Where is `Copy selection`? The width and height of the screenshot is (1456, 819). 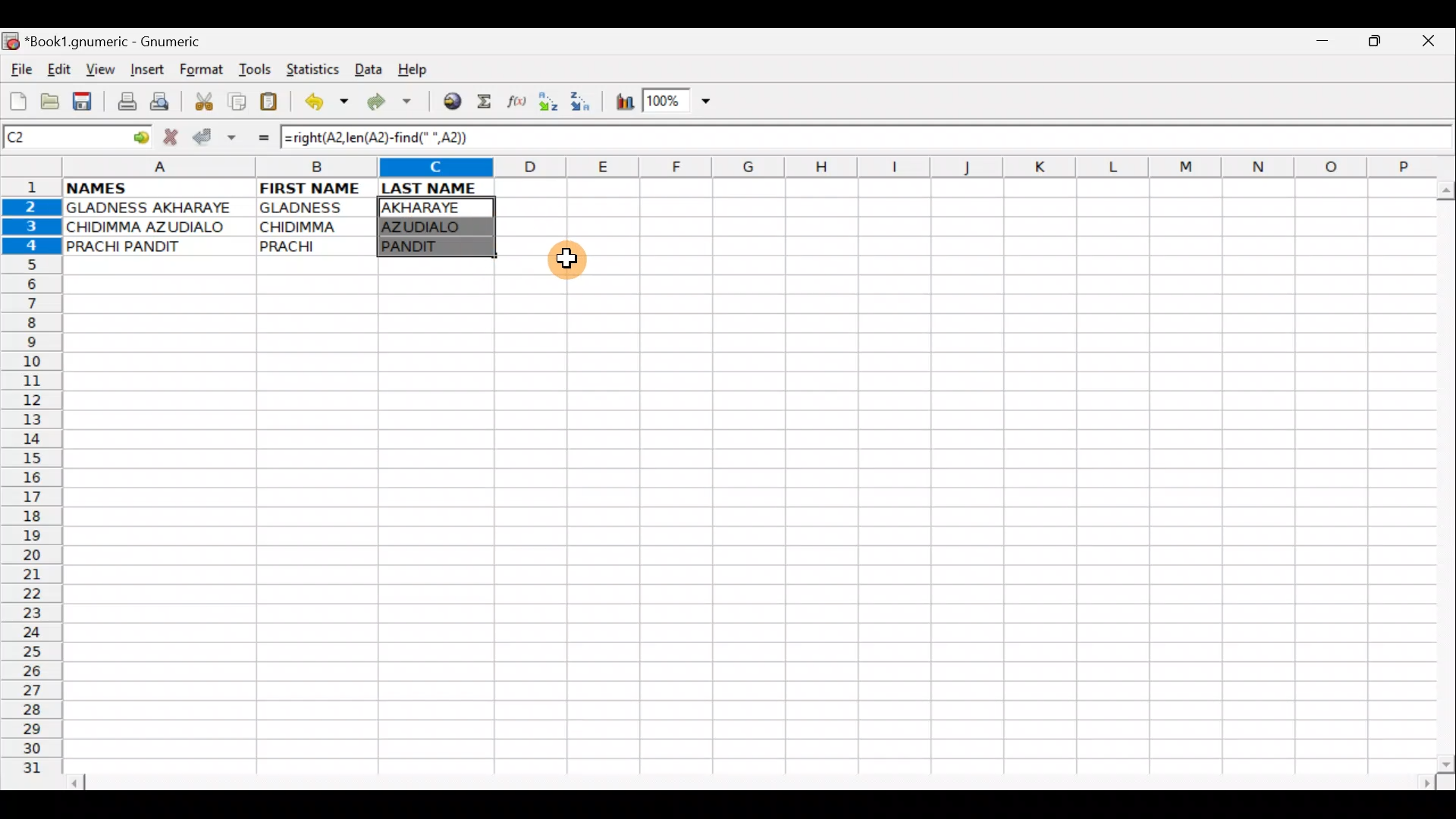 Copy selection is located at coordinates (238, 101).